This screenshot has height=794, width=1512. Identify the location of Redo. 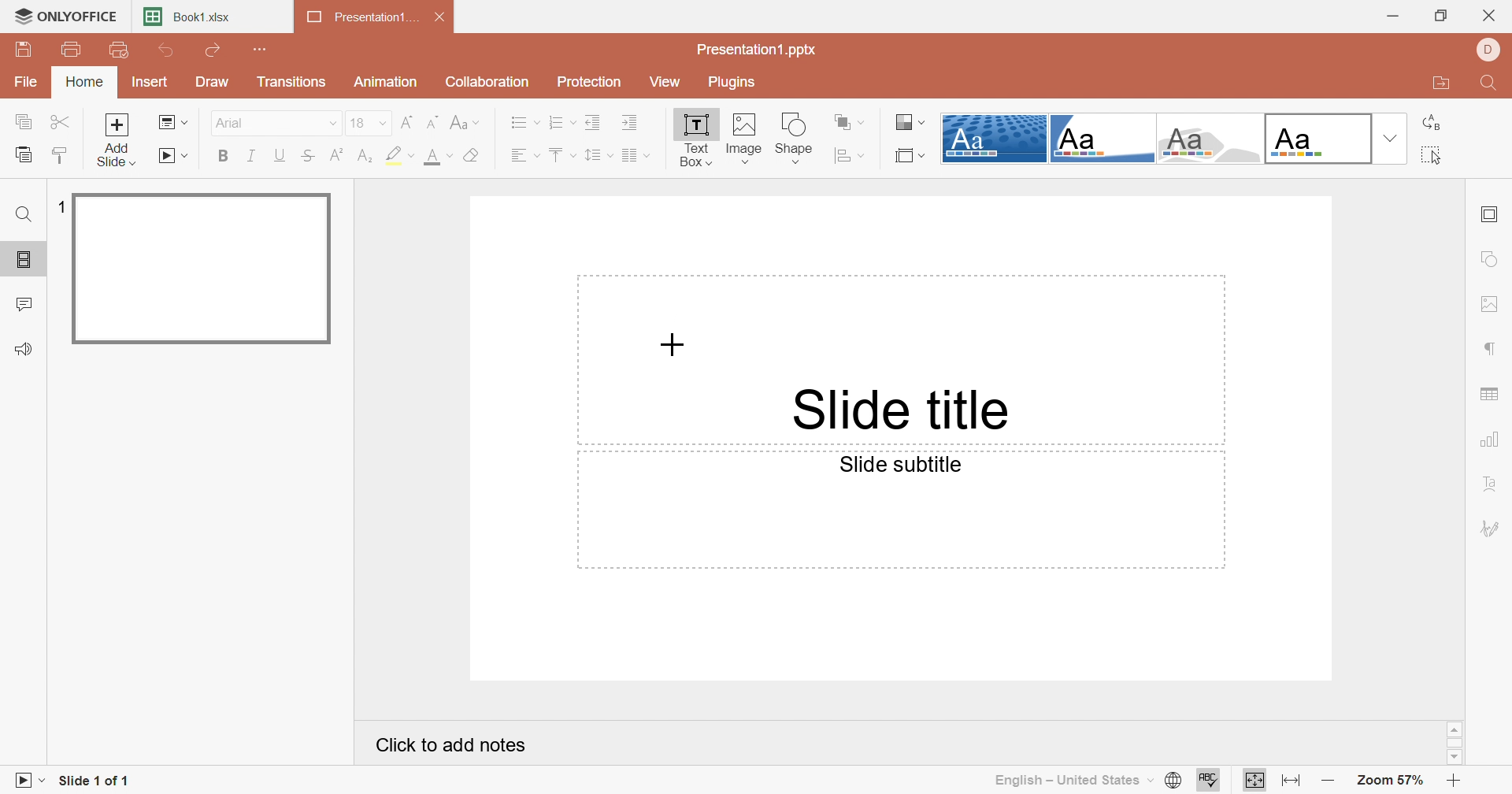
(215, 50).